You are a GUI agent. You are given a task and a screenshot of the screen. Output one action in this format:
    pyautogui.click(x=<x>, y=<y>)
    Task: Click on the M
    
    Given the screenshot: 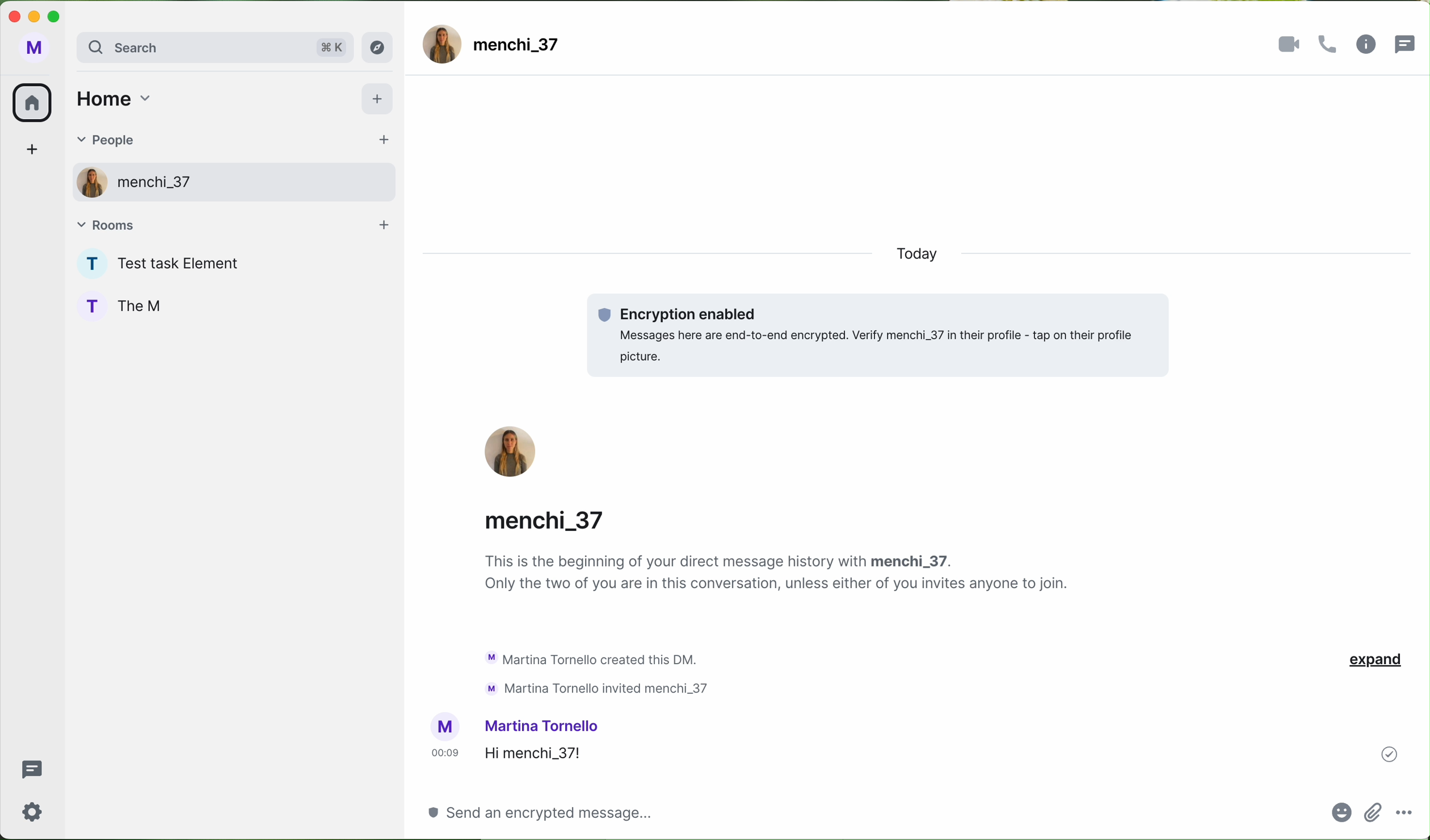 What is the action you would take?
    pyautogui.click(x=33, y=50)
    